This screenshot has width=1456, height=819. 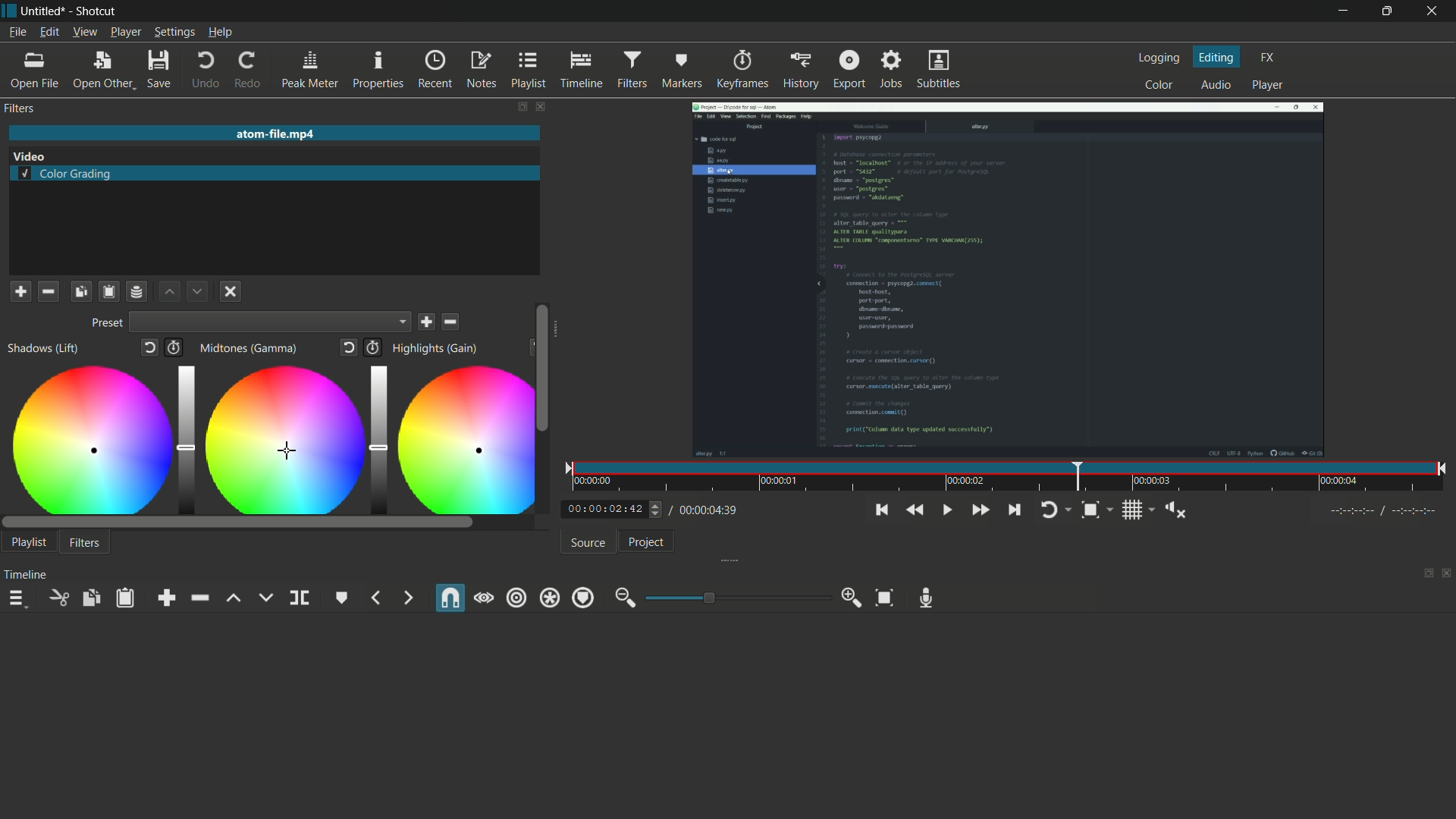 I want to click on adjustment circle, so click(x=460, y=439).